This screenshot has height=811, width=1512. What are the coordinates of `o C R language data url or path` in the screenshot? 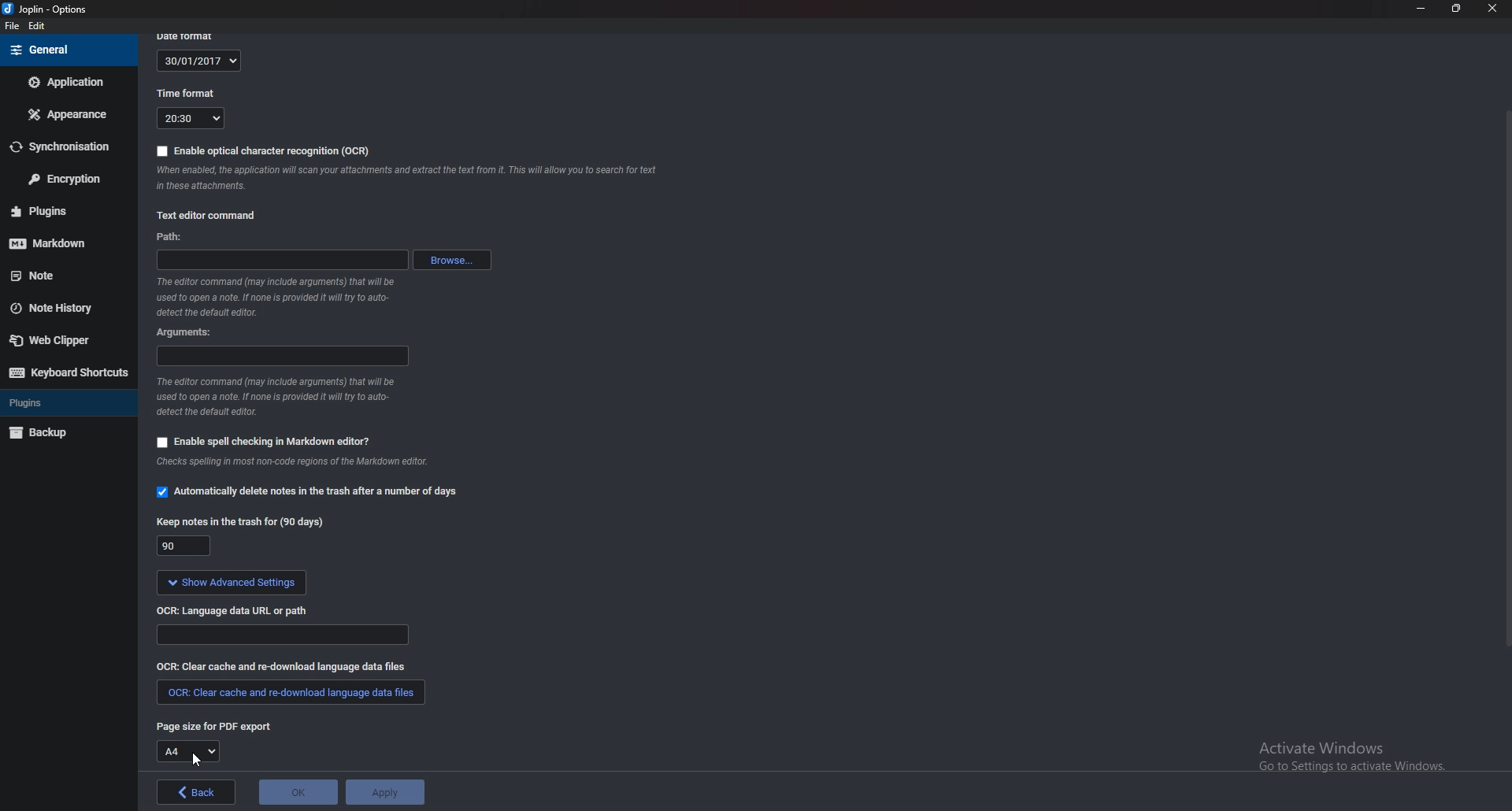 It's located at (234, 613).